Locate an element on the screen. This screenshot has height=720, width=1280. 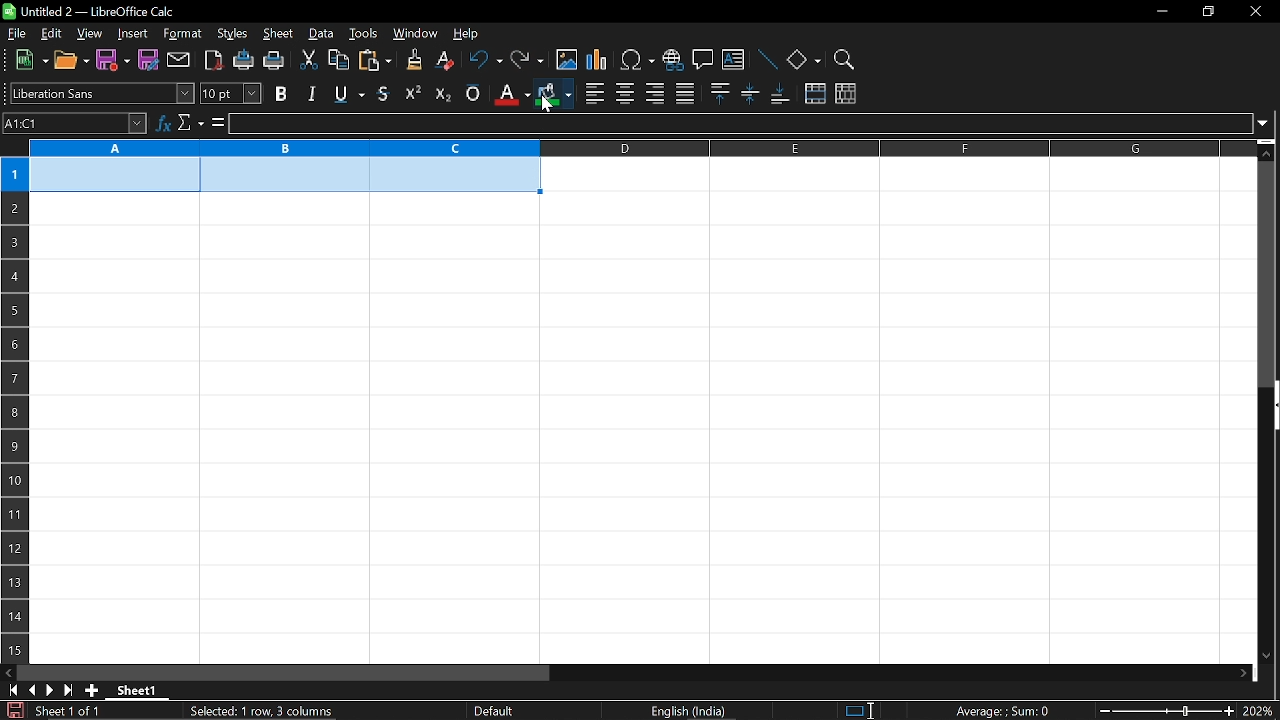
basic shapes is located at coordinates (804, 59).